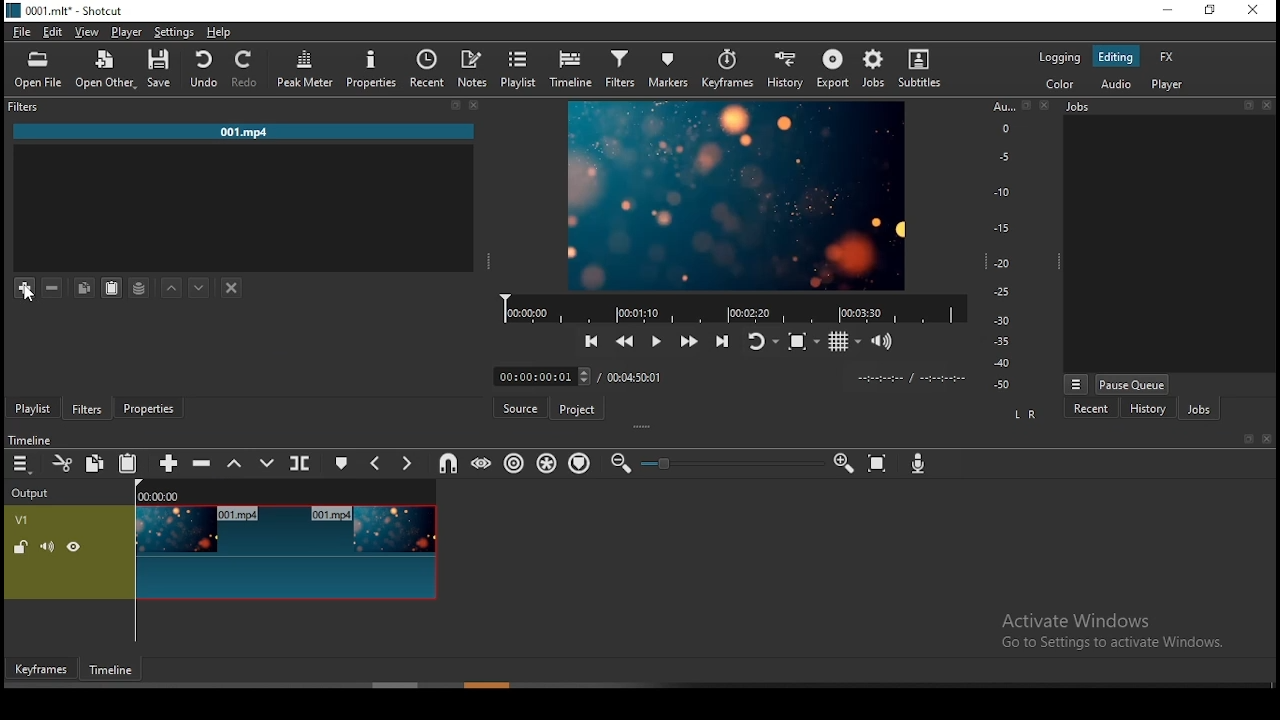 Image resolution: width=1280 pixels, height=720 pixels. I want to click on playlist, so click(36, 409).